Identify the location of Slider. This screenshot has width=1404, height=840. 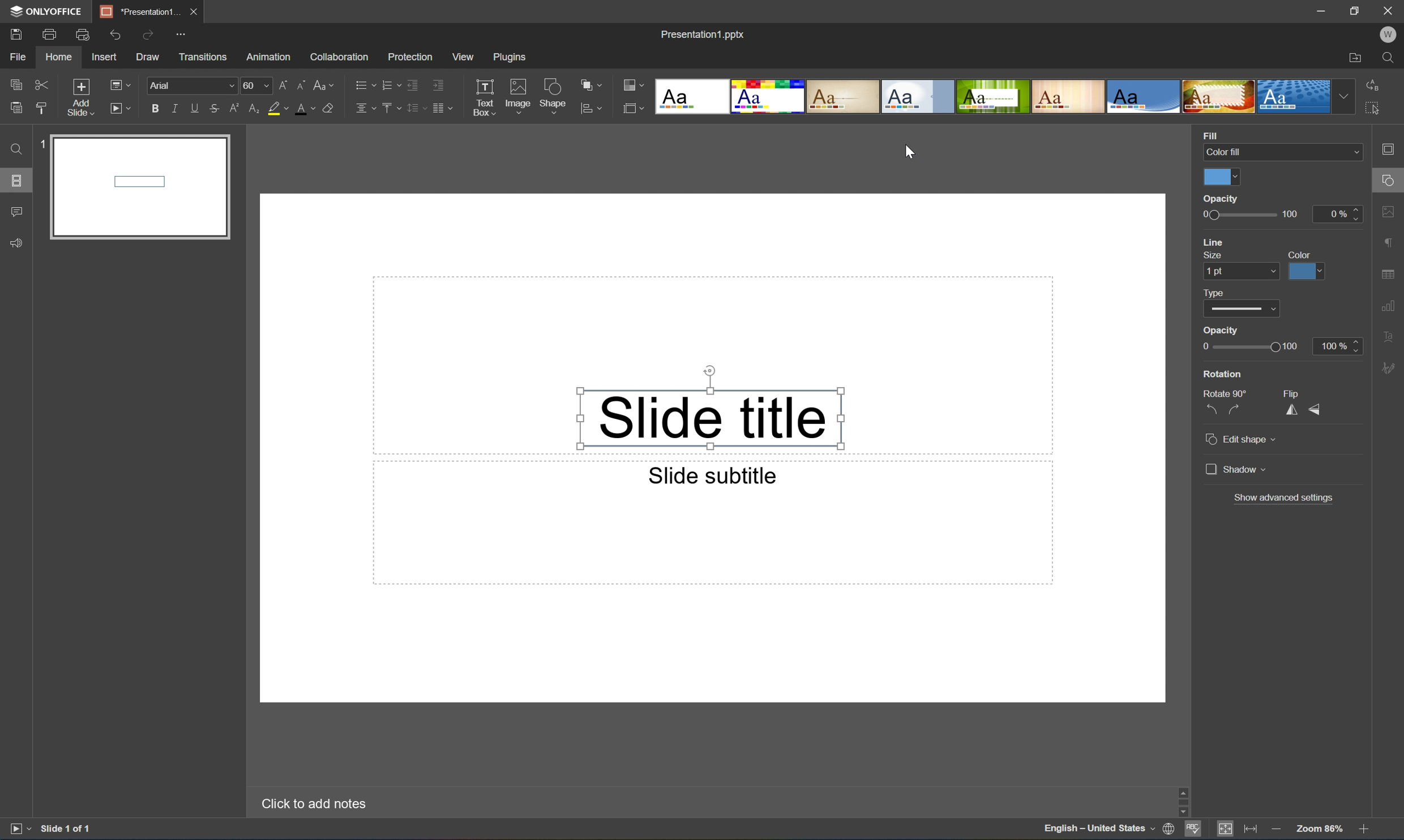
(1249, 216).